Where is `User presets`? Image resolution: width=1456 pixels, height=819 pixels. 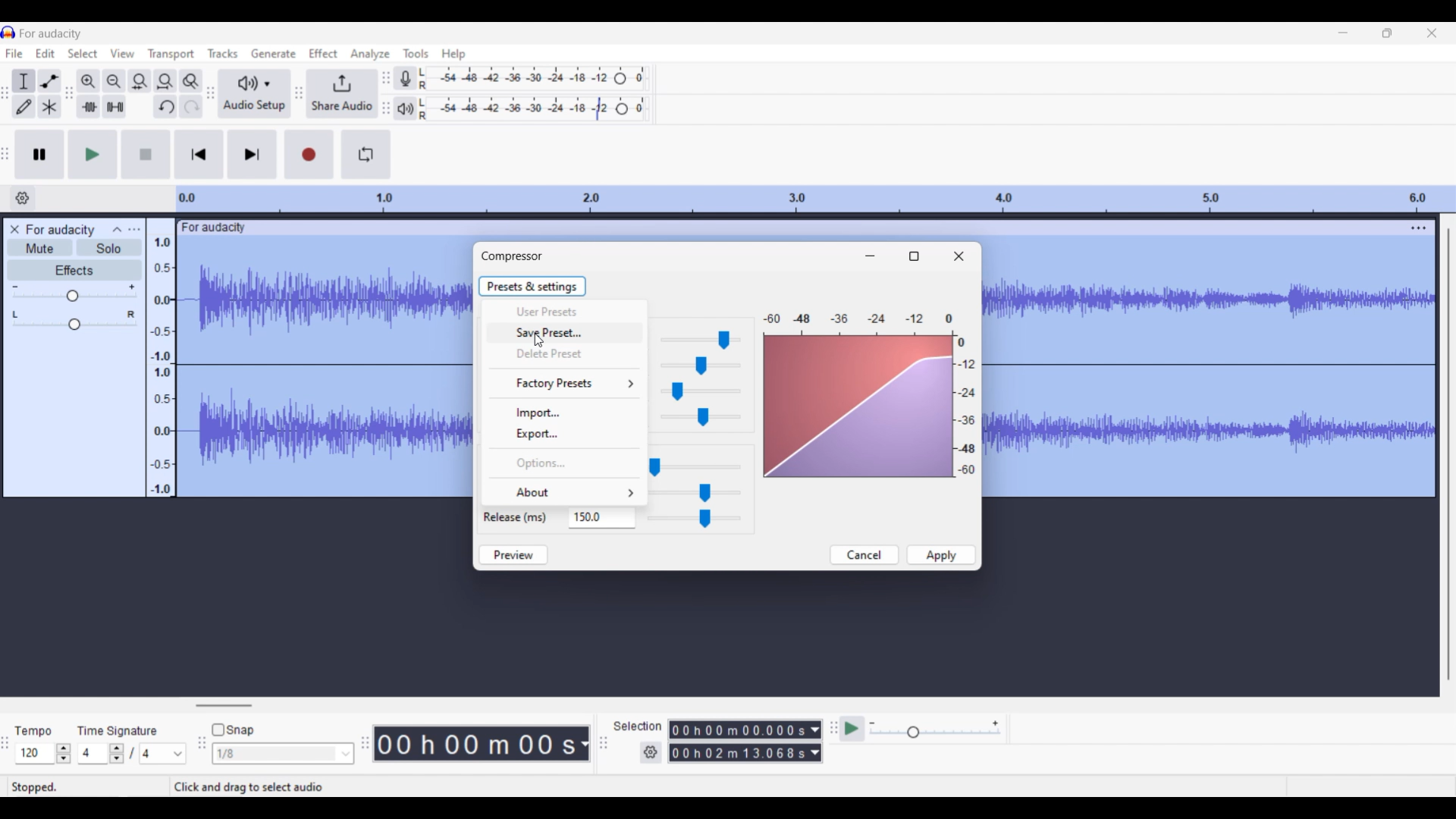 User presets is located at coordinates (562, 311).